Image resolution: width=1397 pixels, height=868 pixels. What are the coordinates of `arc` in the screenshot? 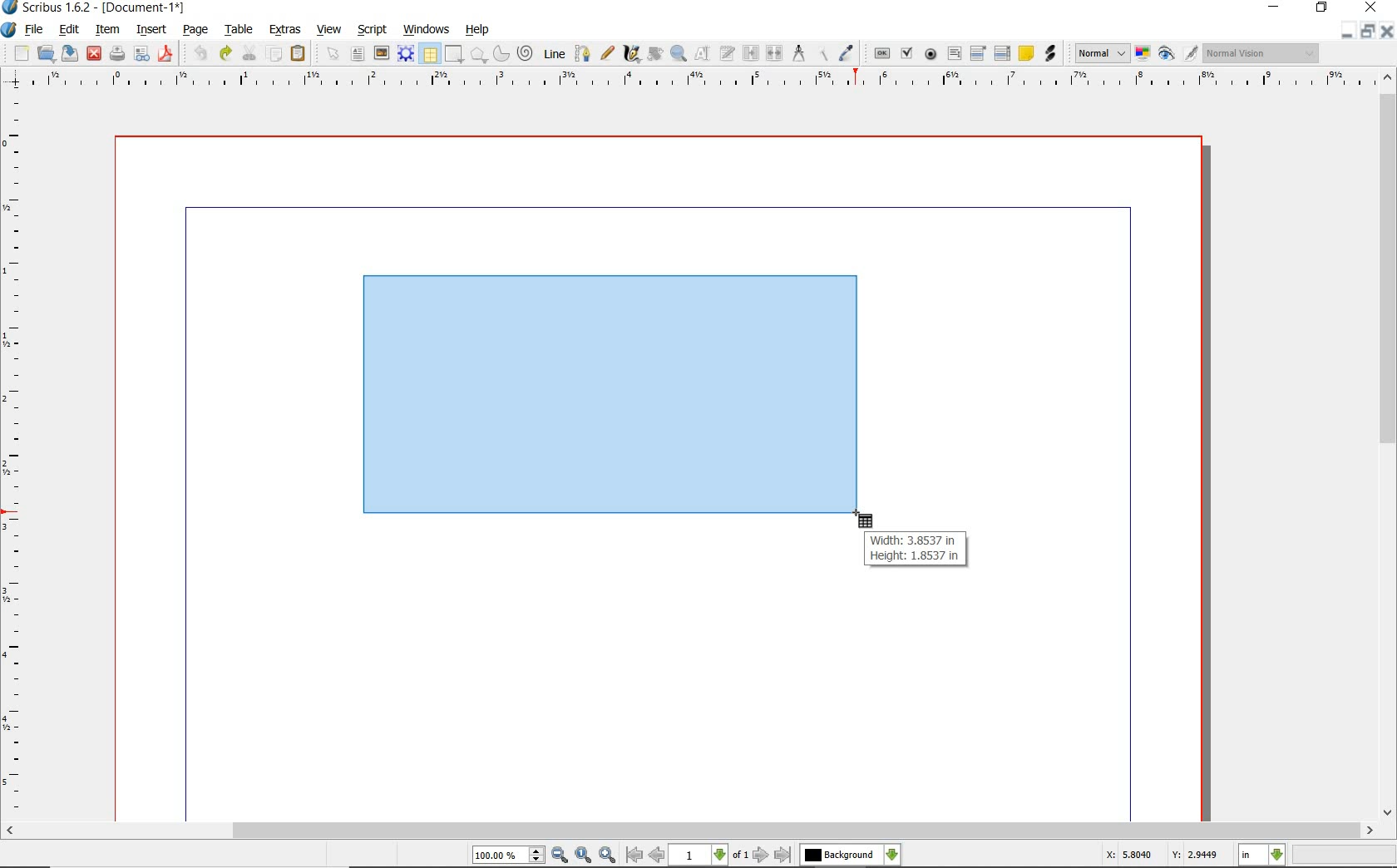 It's located at (503, 55).